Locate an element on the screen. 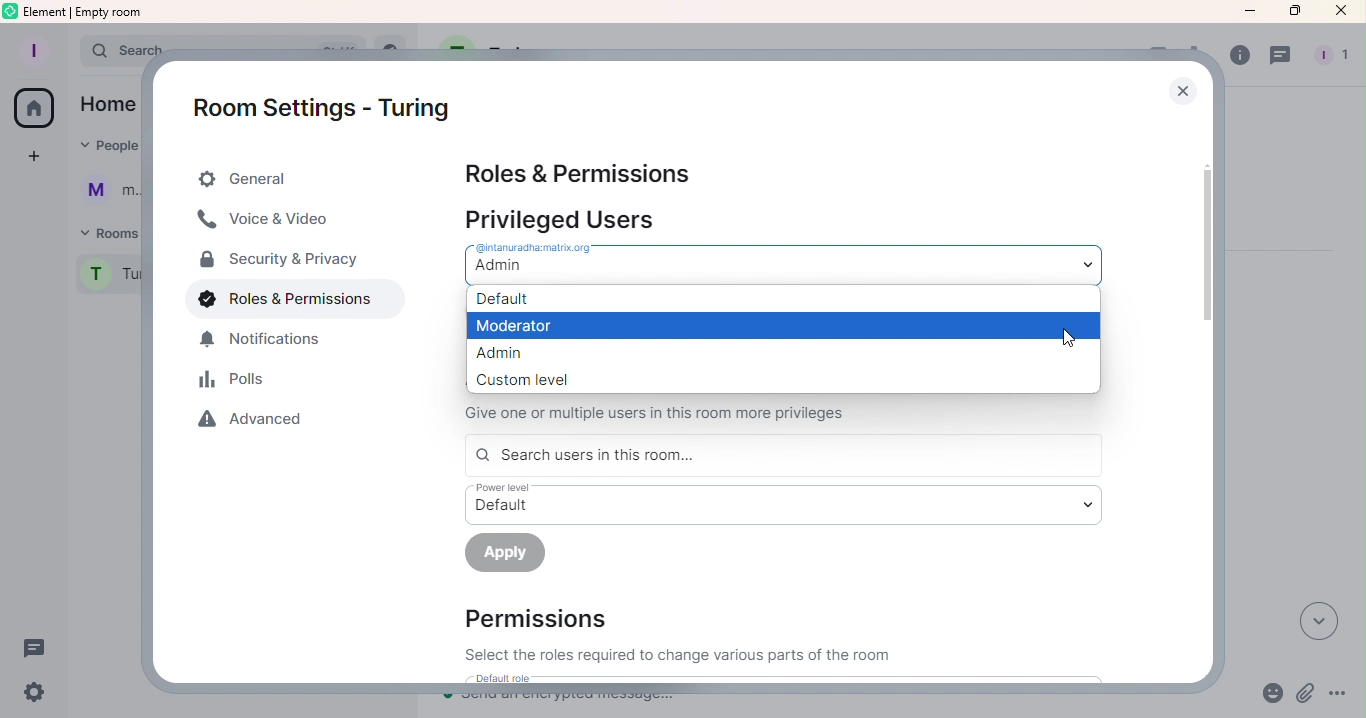  Threads is located at coordinates (1281, 59).